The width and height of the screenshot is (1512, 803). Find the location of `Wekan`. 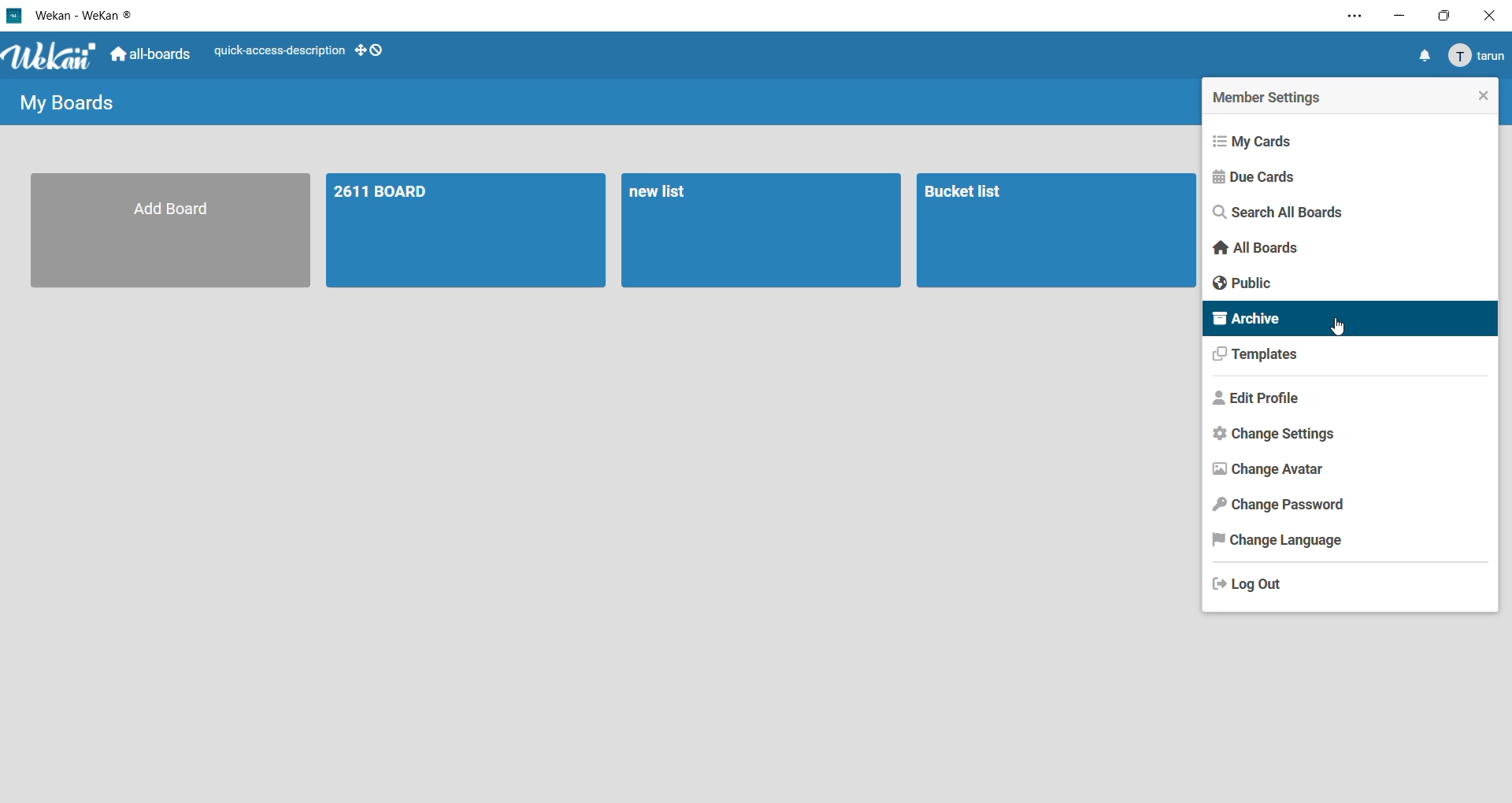

Wekan is located at coordinates (52, 54).